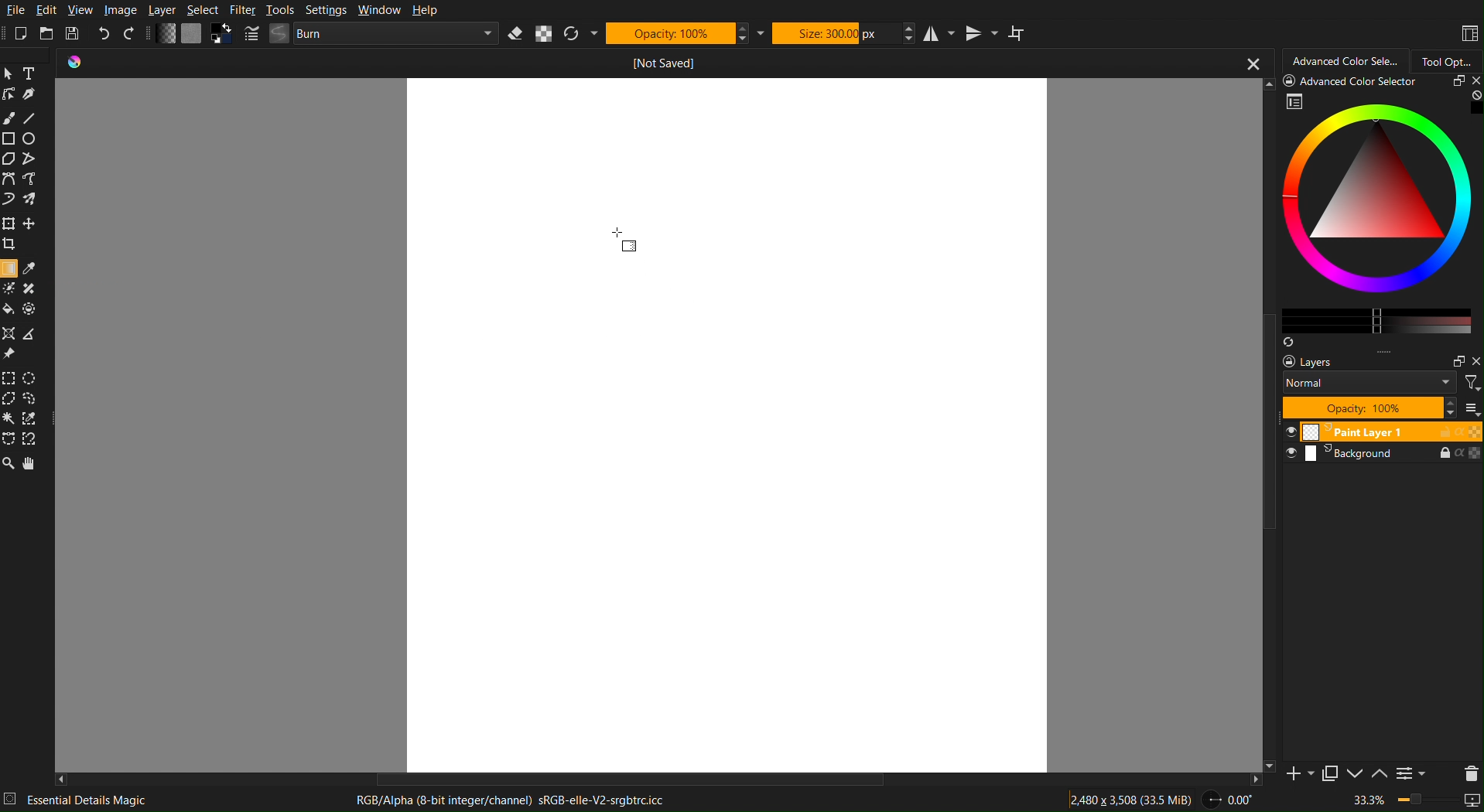  Describe the element at coordinates (1469, 34) in the screenshot. I see `Workspaces` at that location.